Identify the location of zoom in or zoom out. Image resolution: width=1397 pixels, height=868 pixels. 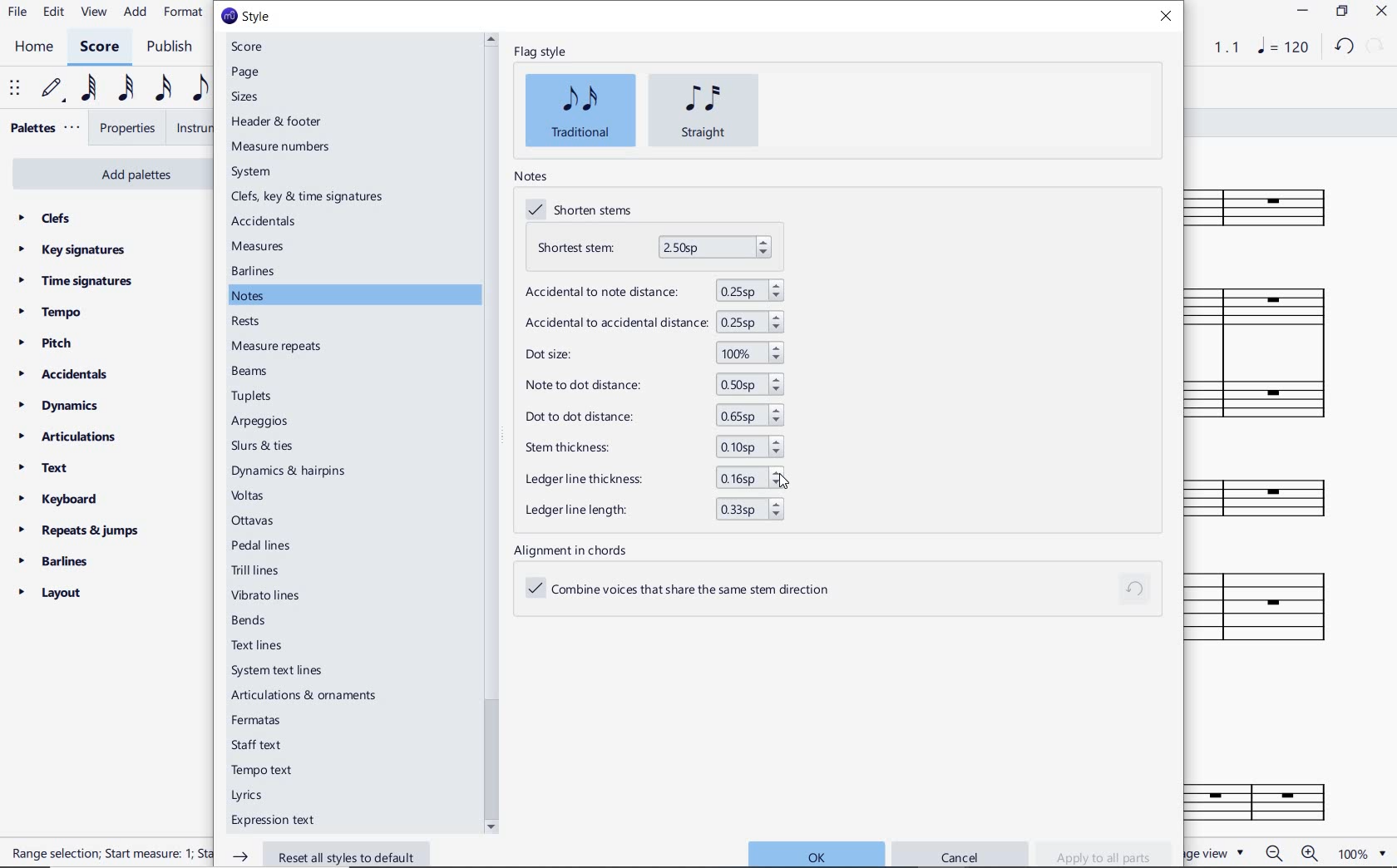
(1296, 853).